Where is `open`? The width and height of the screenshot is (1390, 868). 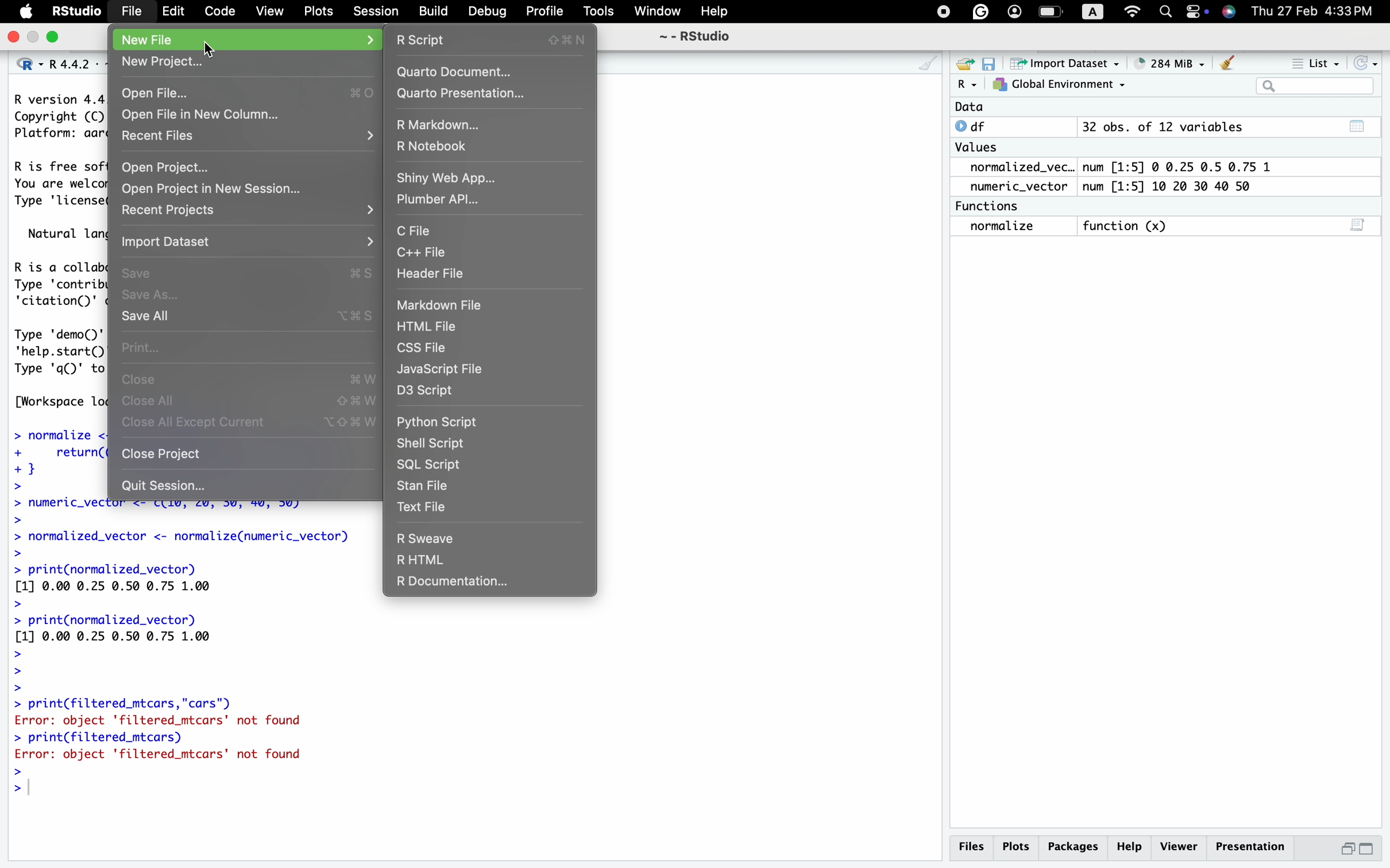
open is located at coordinates (56, 38).